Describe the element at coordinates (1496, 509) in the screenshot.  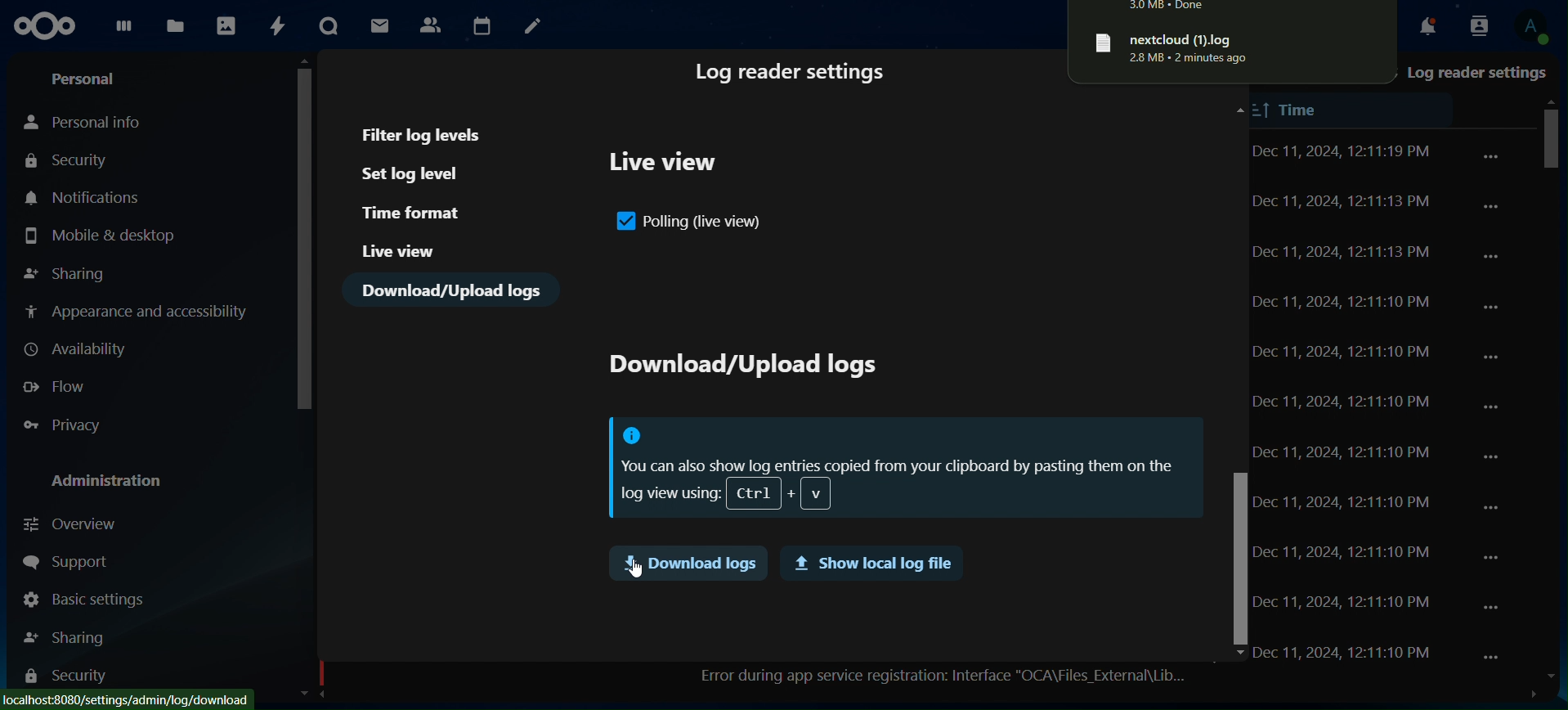
I see `...` at that location.